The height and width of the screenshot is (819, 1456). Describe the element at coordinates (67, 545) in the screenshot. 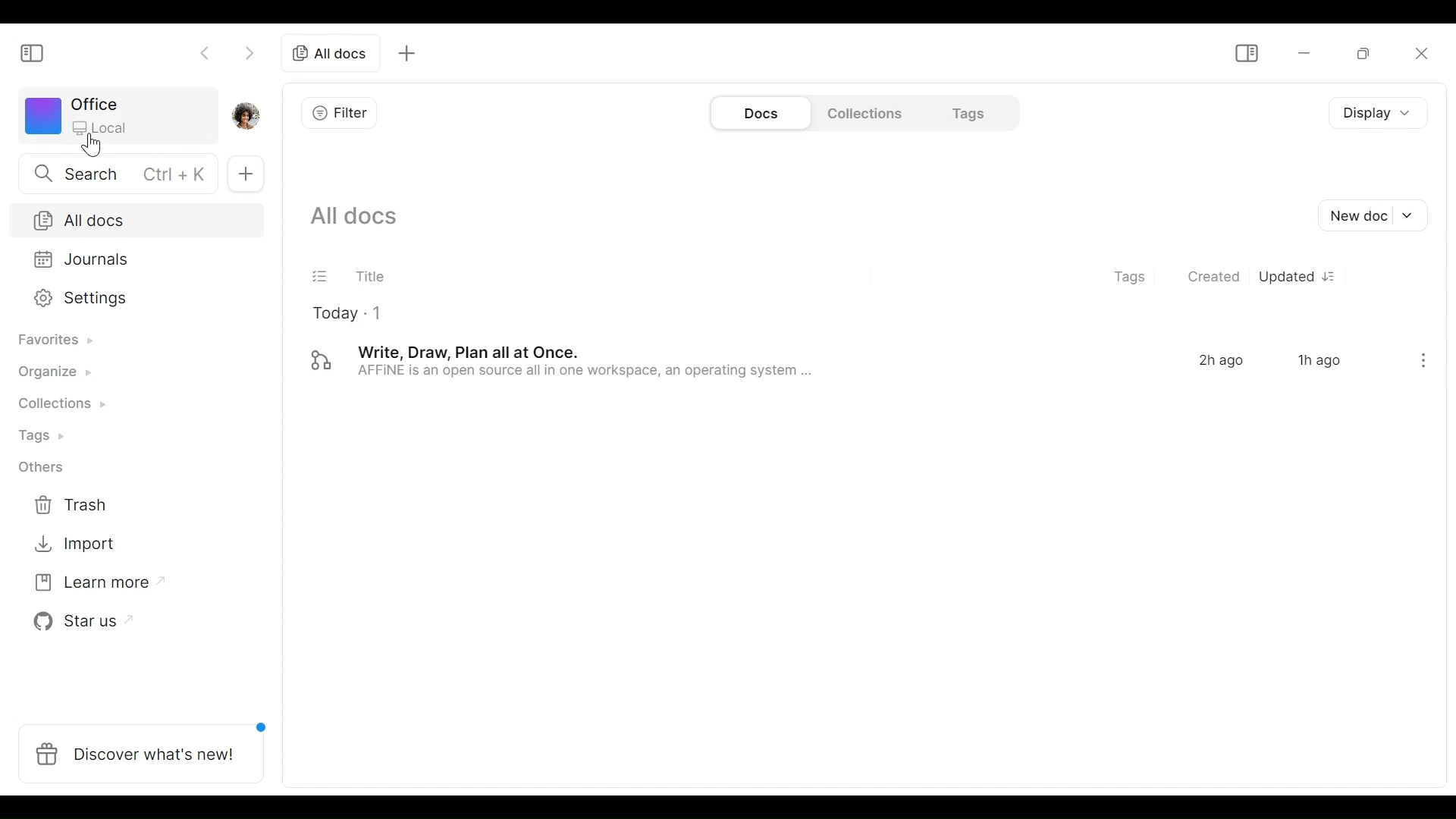

I see `Import` at that location.